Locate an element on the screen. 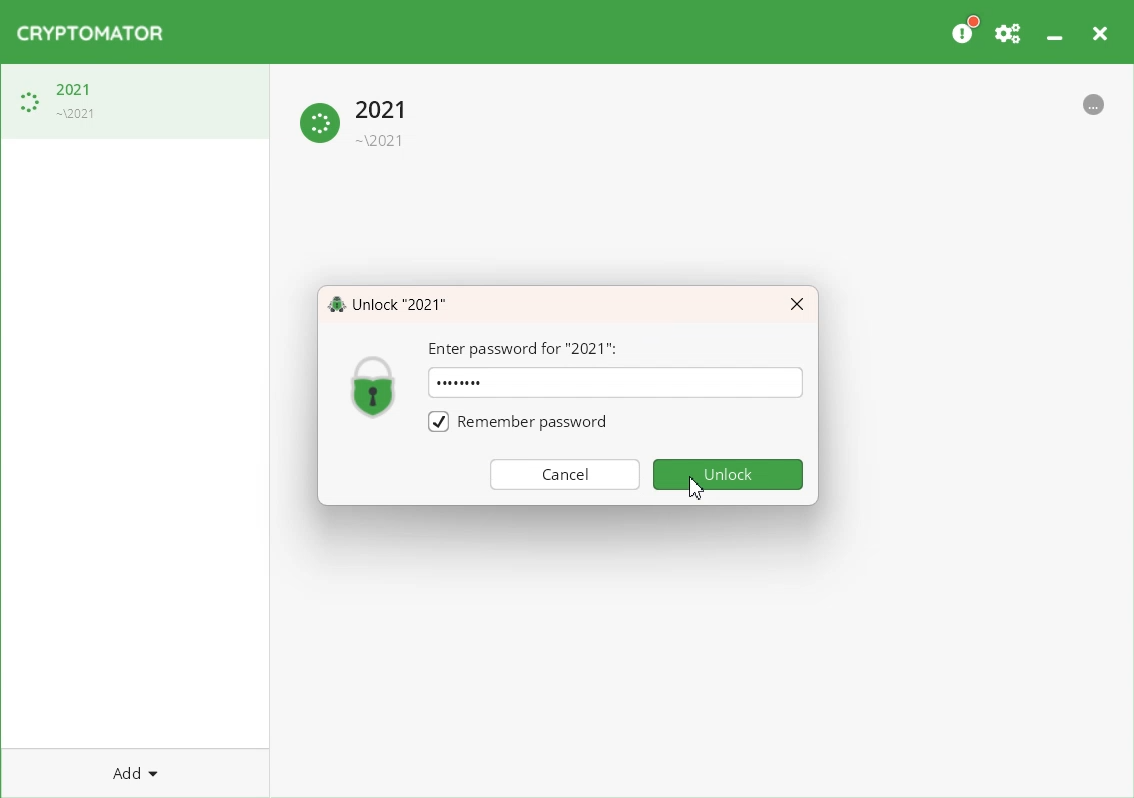  Enter Password for 2021 is located at coordinates (524, 349).